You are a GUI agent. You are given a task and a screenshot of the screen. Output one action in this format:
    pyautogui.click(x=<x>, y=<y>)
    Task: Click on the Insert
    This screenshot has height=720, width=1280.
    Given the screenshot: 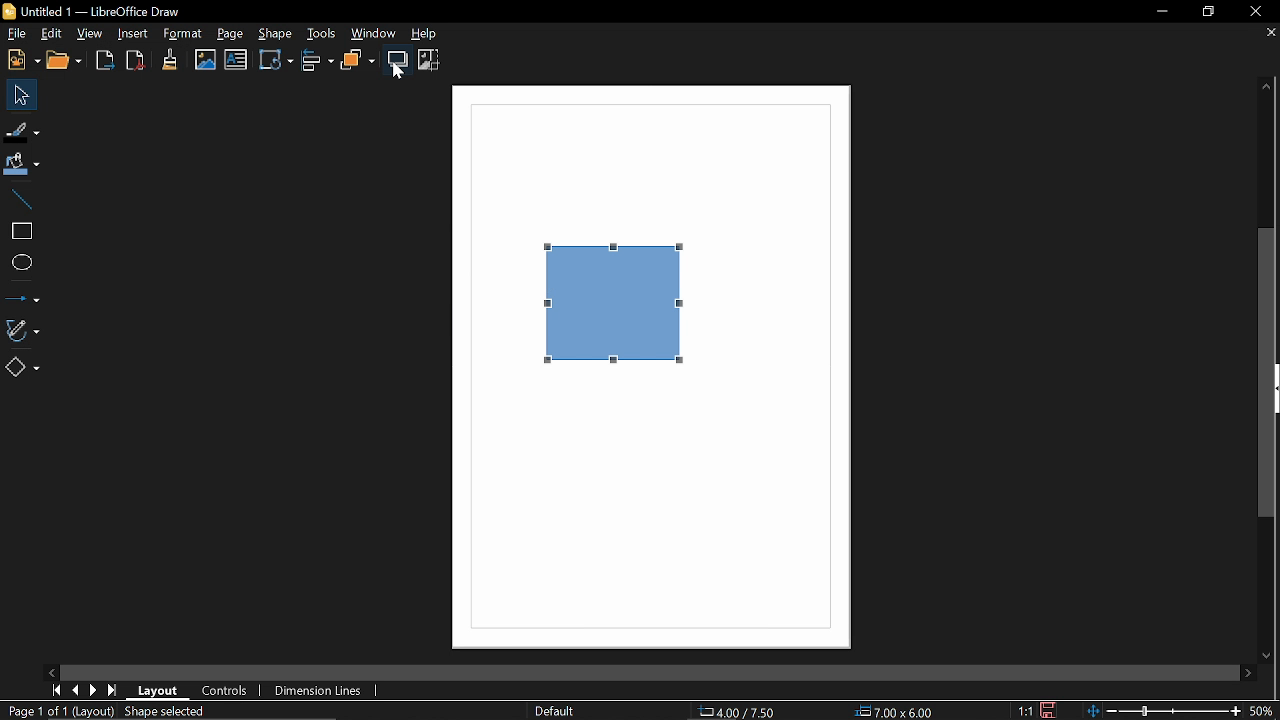 What is the action you would take?
    pyautogui.click(x=133, y=34)
    